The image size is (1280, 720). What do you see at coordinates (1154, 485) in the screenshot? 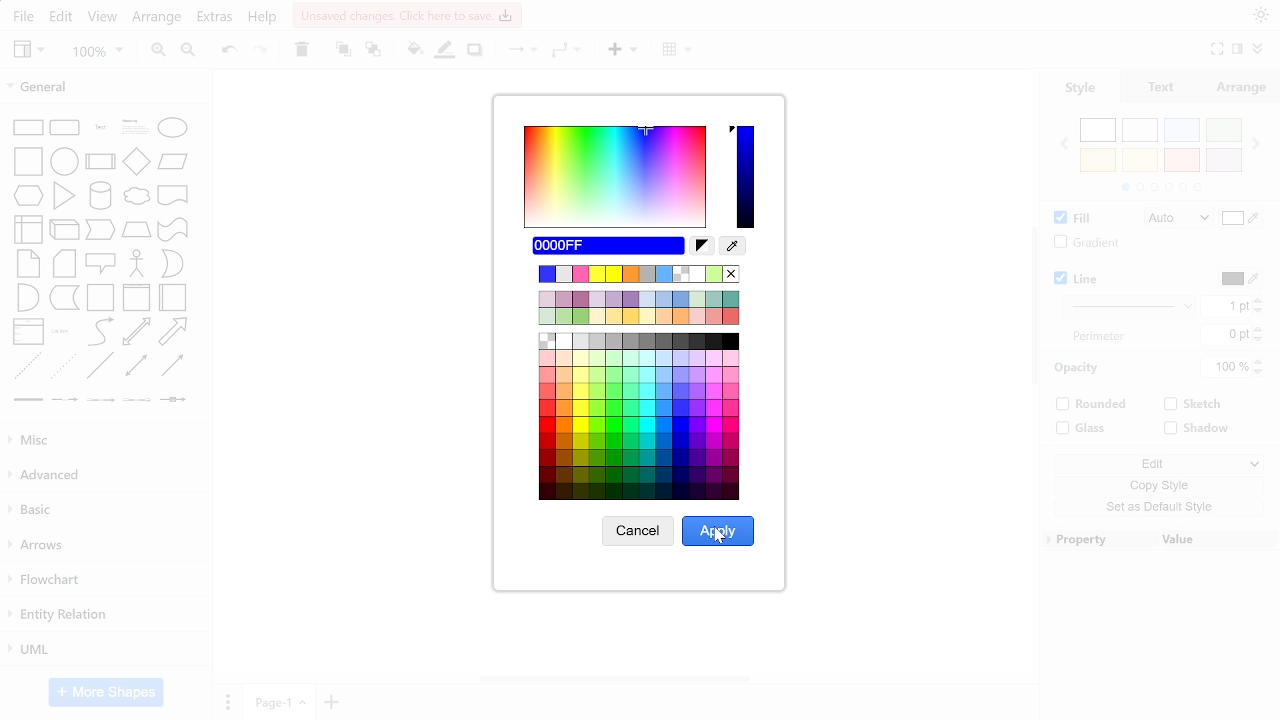
I see `copy style` at bounding box center [1154, 485].